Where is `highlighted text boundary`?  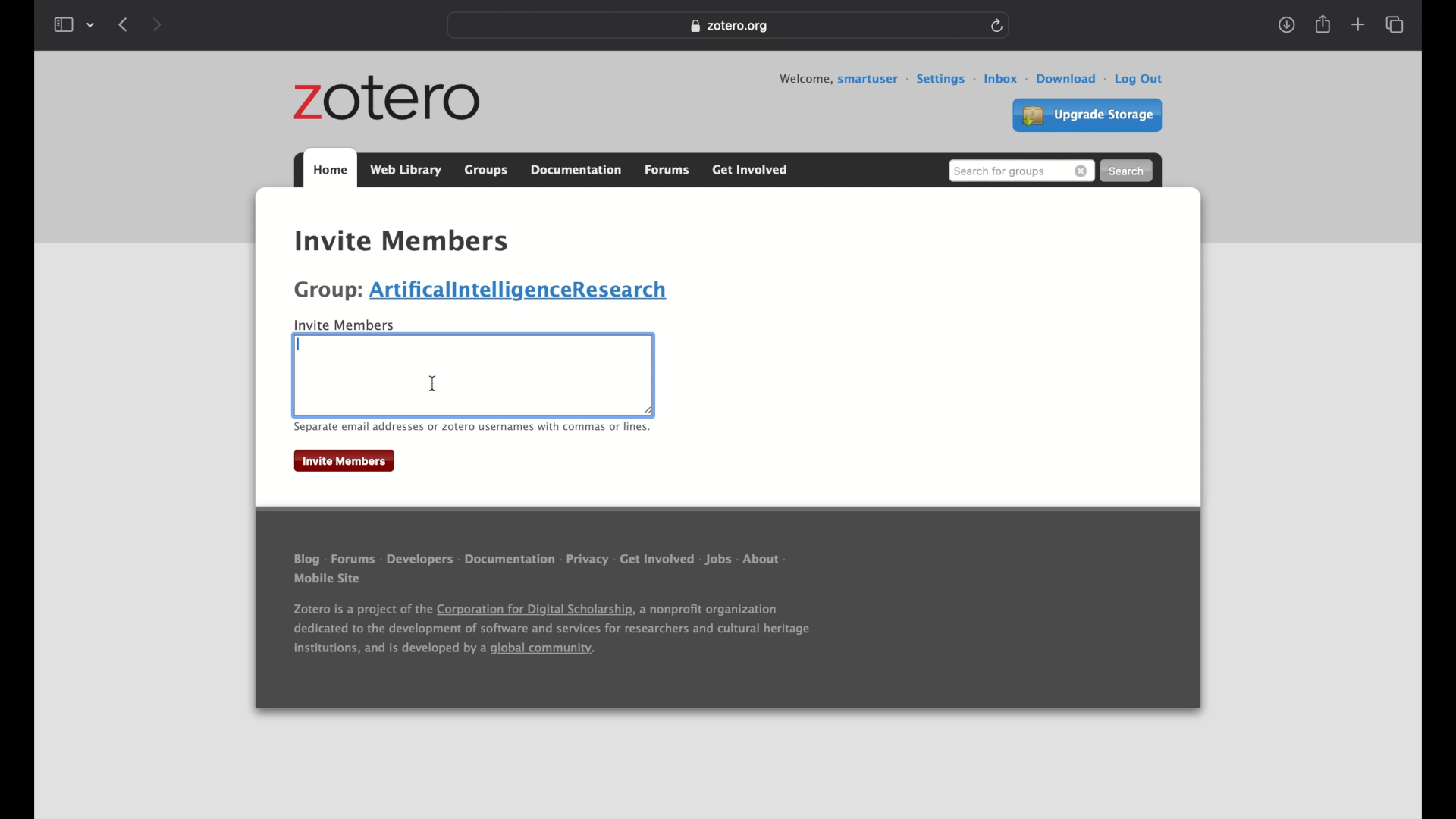 highlighted text boundary is located at coordinates (473, 417).